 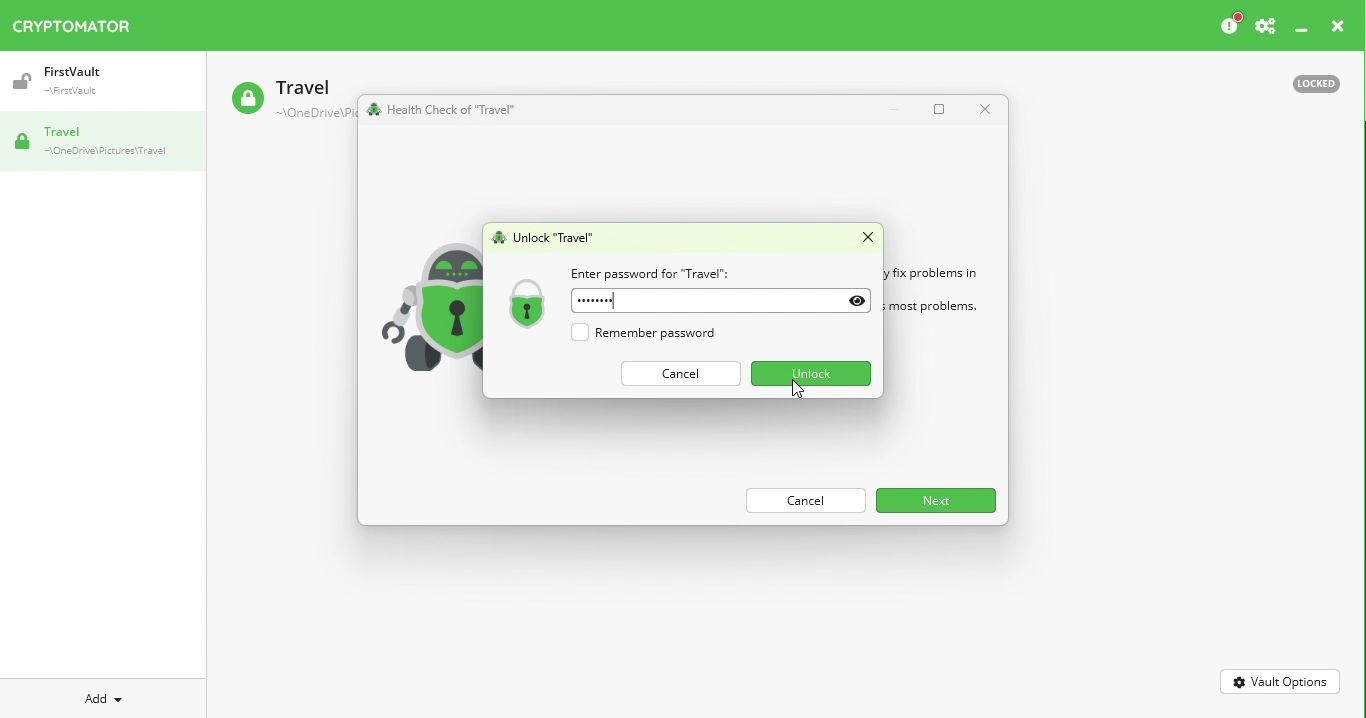 I want to click on cursor, so click(x=797, y=389).